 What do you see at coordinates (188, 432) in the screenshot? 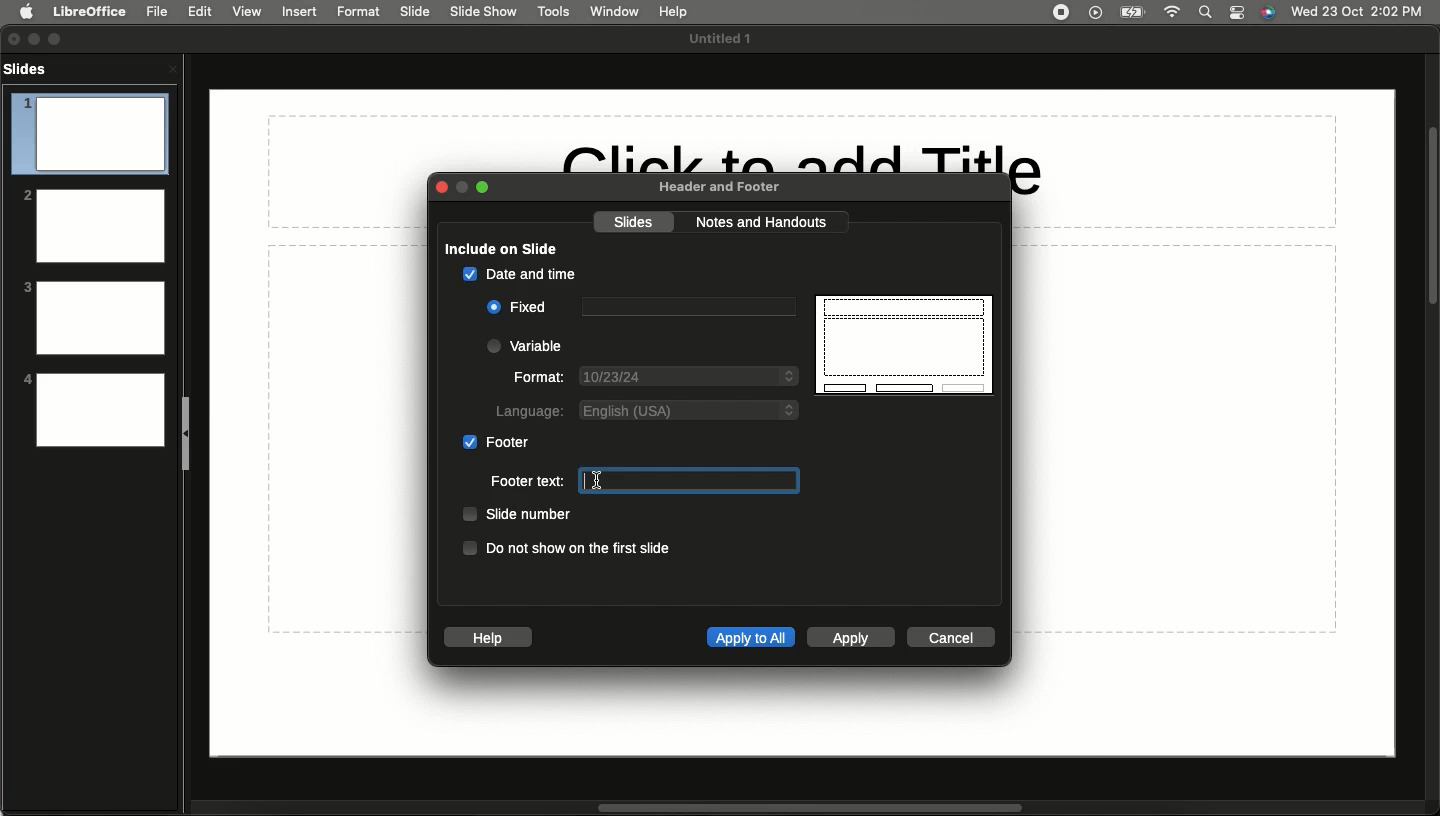
I see `Collapse` at bounding box center [188, 432].